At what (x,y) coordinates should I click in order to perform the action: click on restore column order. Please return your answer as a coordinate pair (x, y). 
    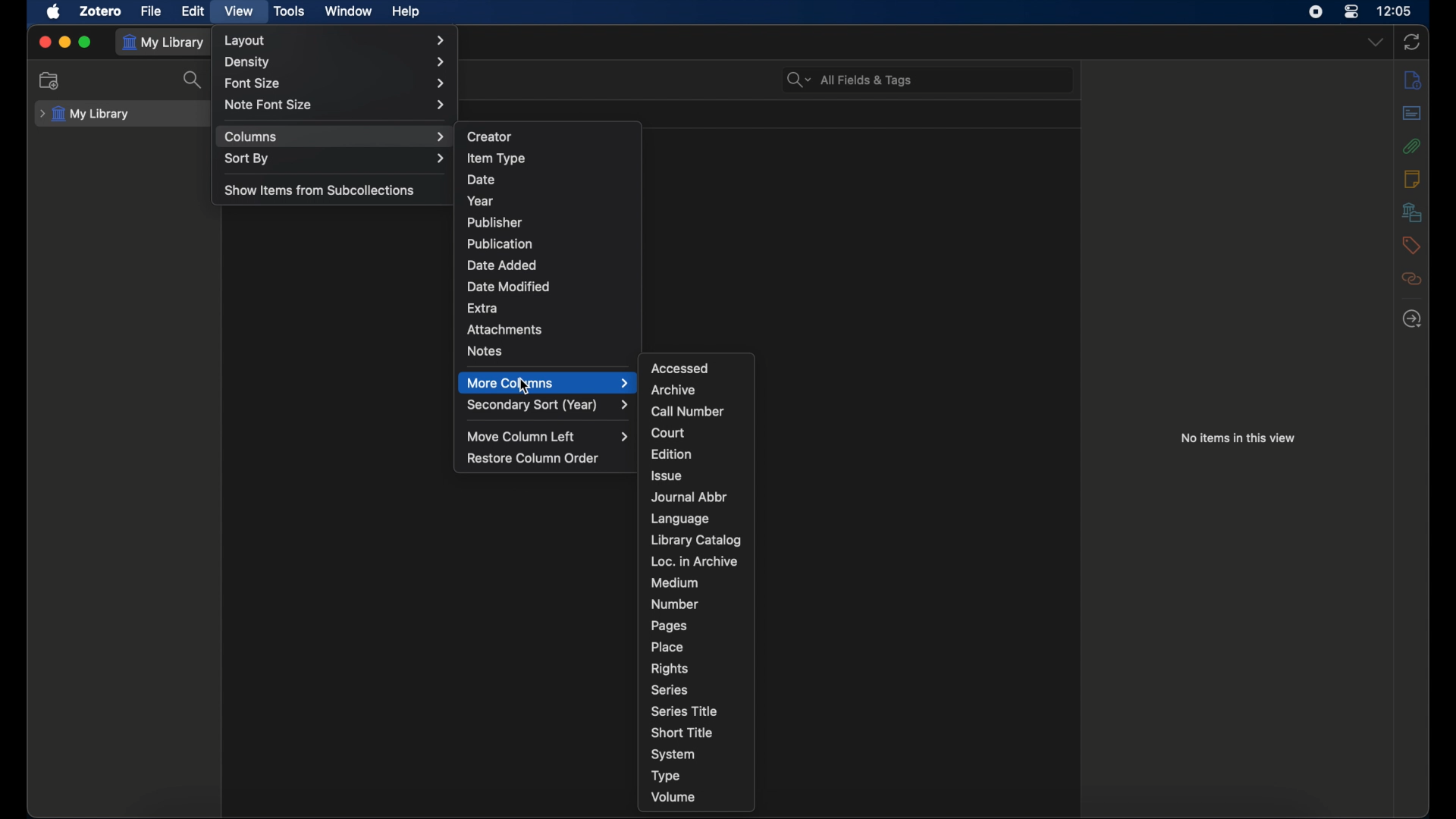
    Looking at the image, I should click on (535, 459).